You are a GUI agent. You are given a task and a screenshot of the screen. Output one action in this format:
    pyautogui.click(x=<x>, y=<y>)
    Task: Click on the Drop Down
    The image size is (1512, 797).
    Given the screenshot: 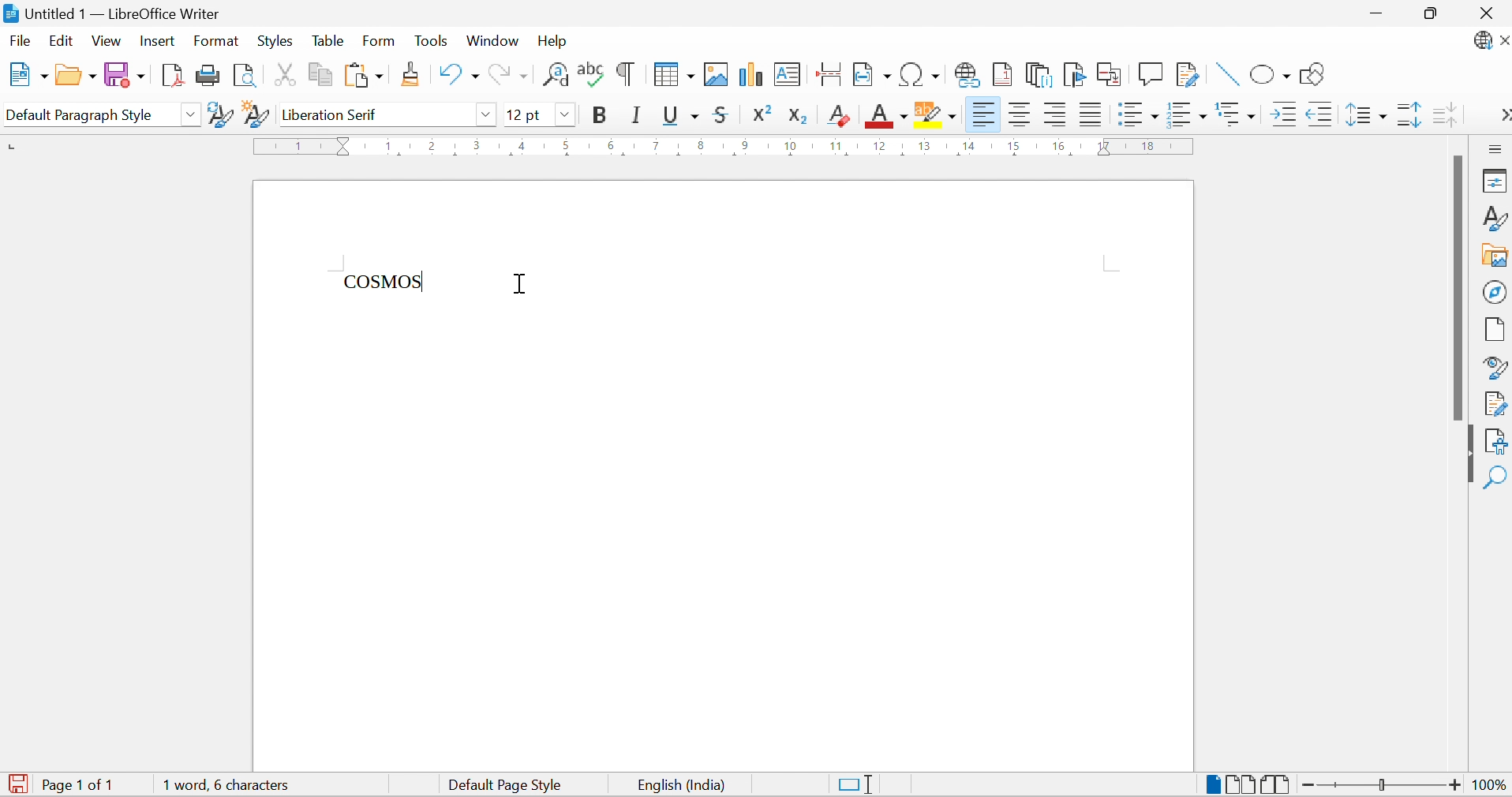 What is the action you would take?
    pyautogui.click(x=566, y=114)
    